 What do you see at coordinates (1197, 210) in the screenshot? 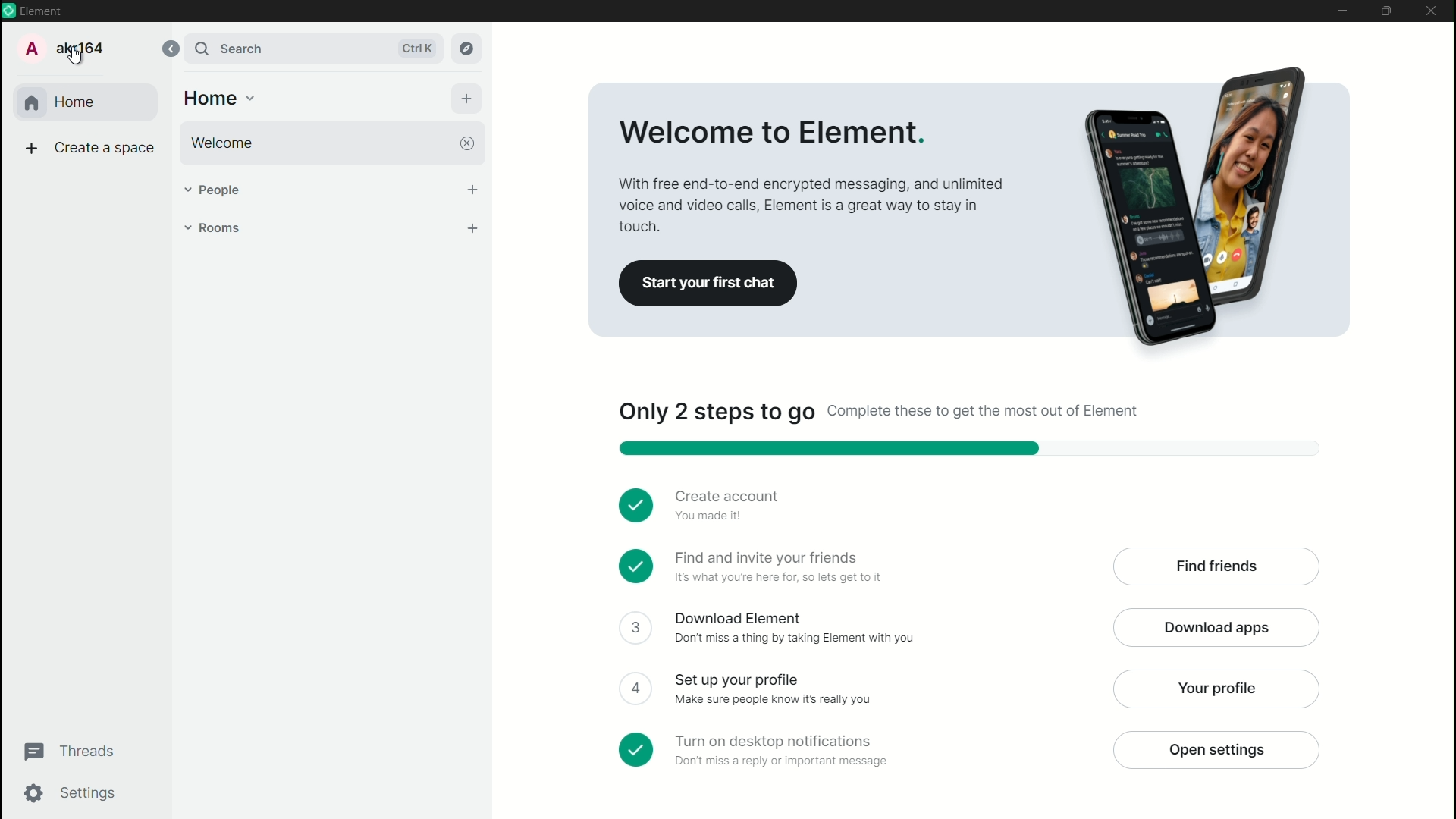
I see `Advertising picture` at bounding box center [1197, 210].